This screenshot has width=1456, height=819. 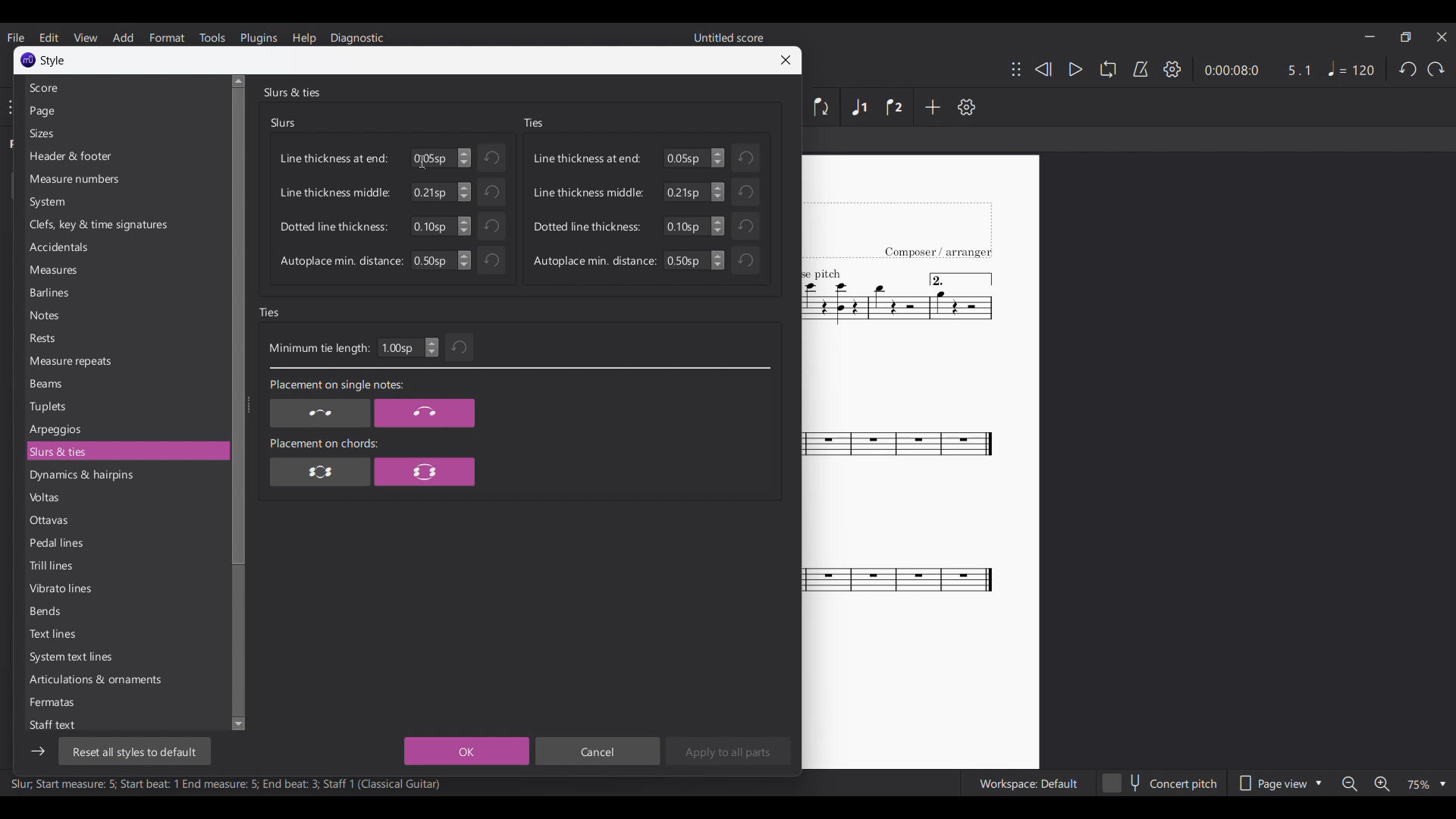 I want to click on Header & footer, so click(x=125, y=156).